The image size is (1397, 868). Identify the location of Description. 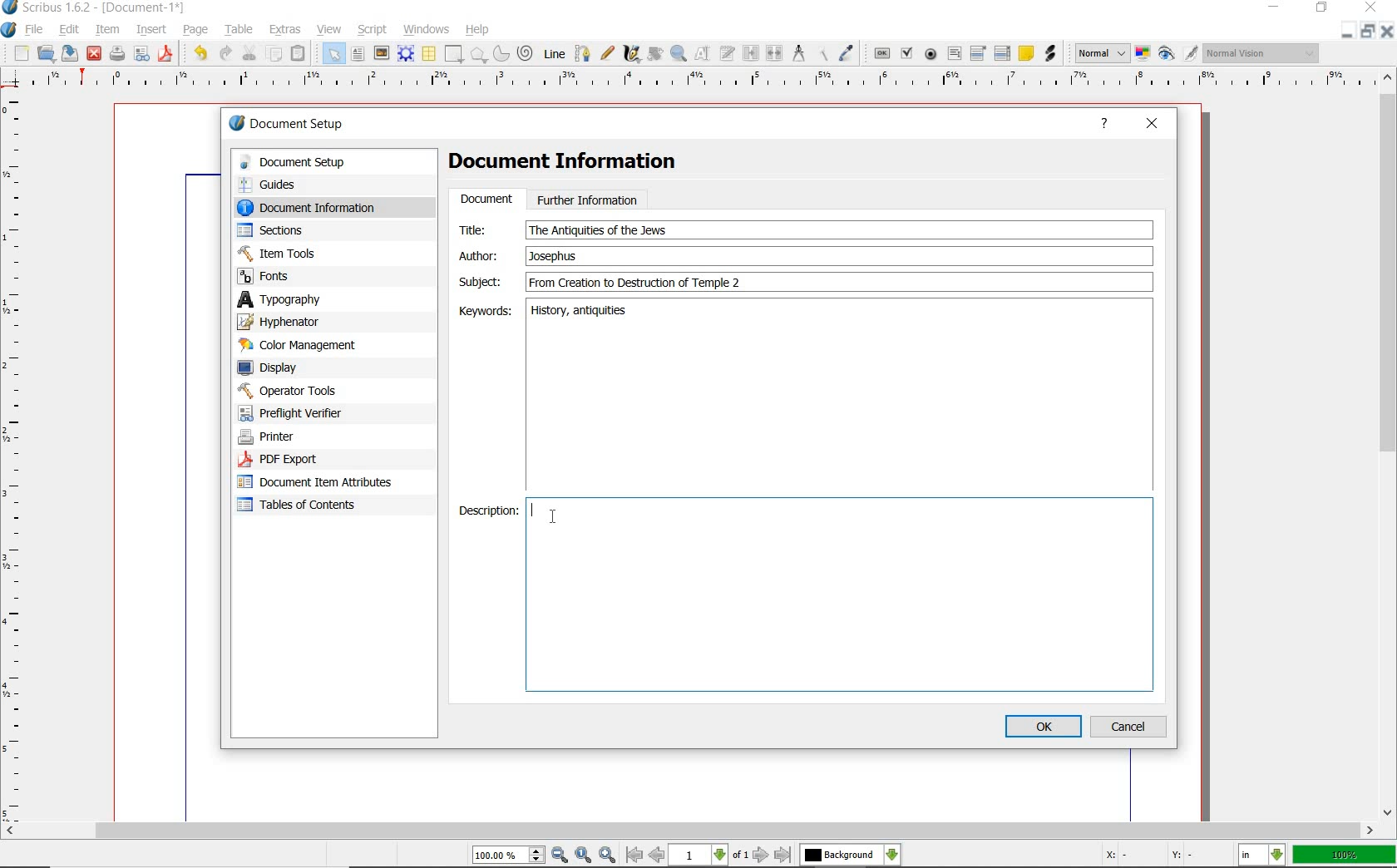
(491, 512).